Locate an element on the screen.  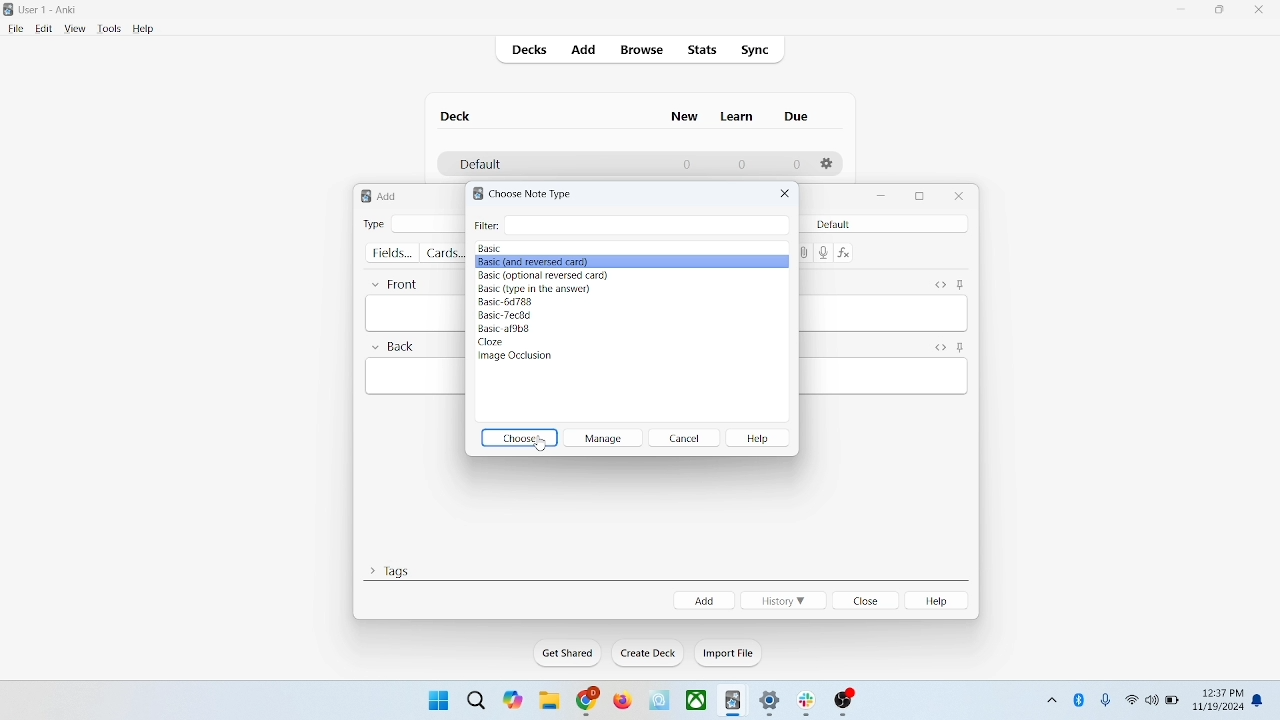
add is located at coordinates (585, 51).